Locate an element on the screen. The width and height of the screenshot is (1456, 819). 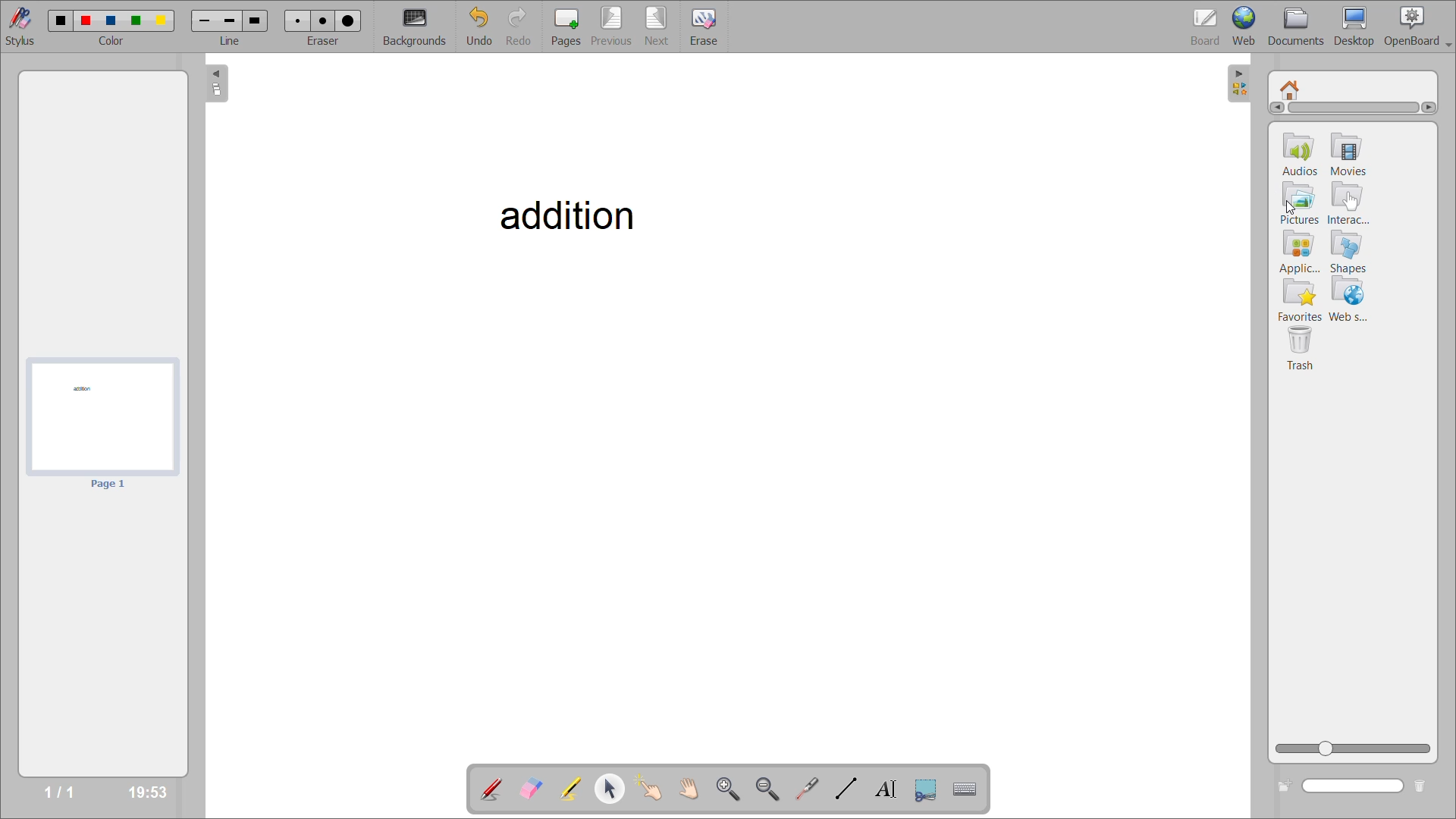
web is located at coordinates (1247, 24).